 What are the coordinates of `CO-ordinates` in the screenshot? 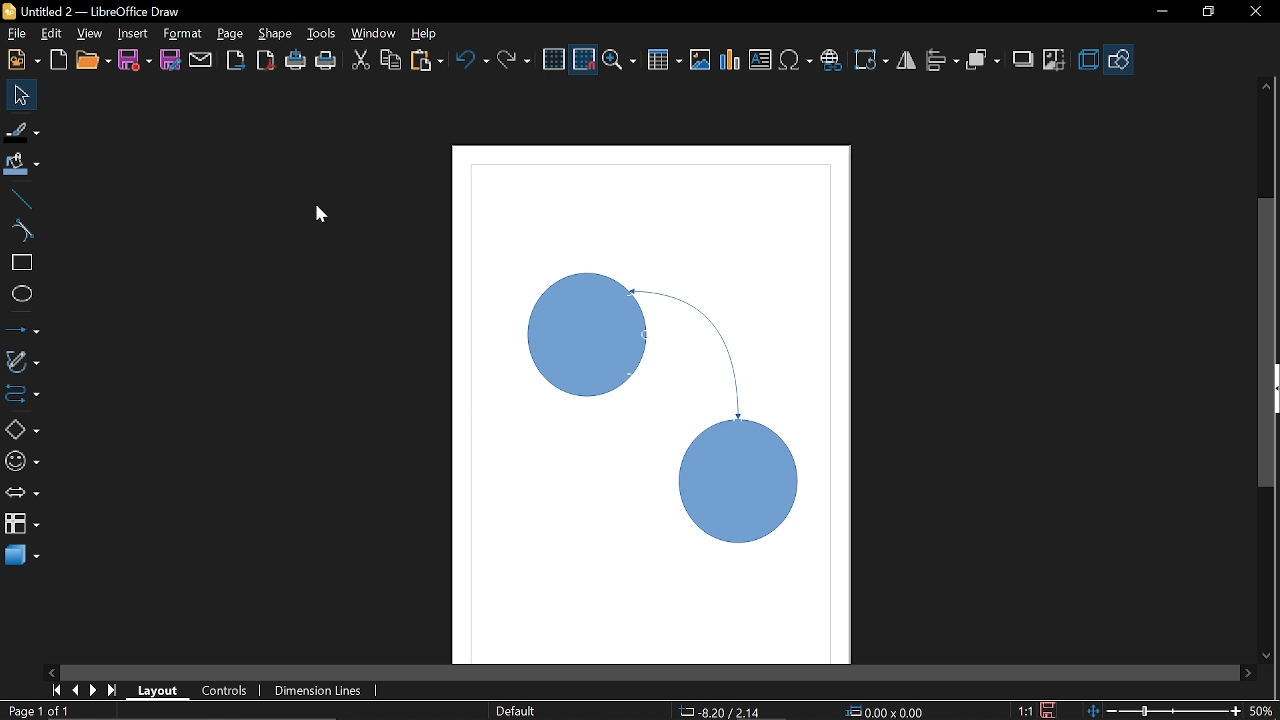 It's located at (730, 711).